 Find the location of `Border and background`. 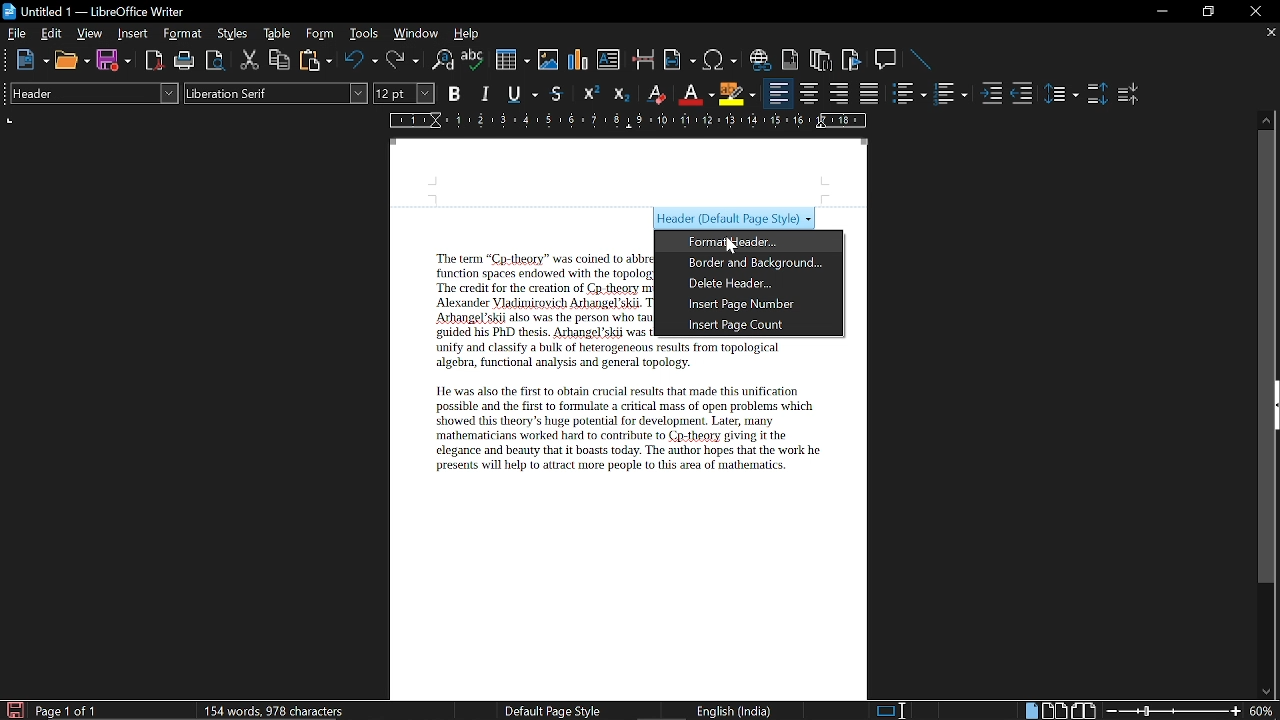

Border and background is located at coordinates (755, 264).